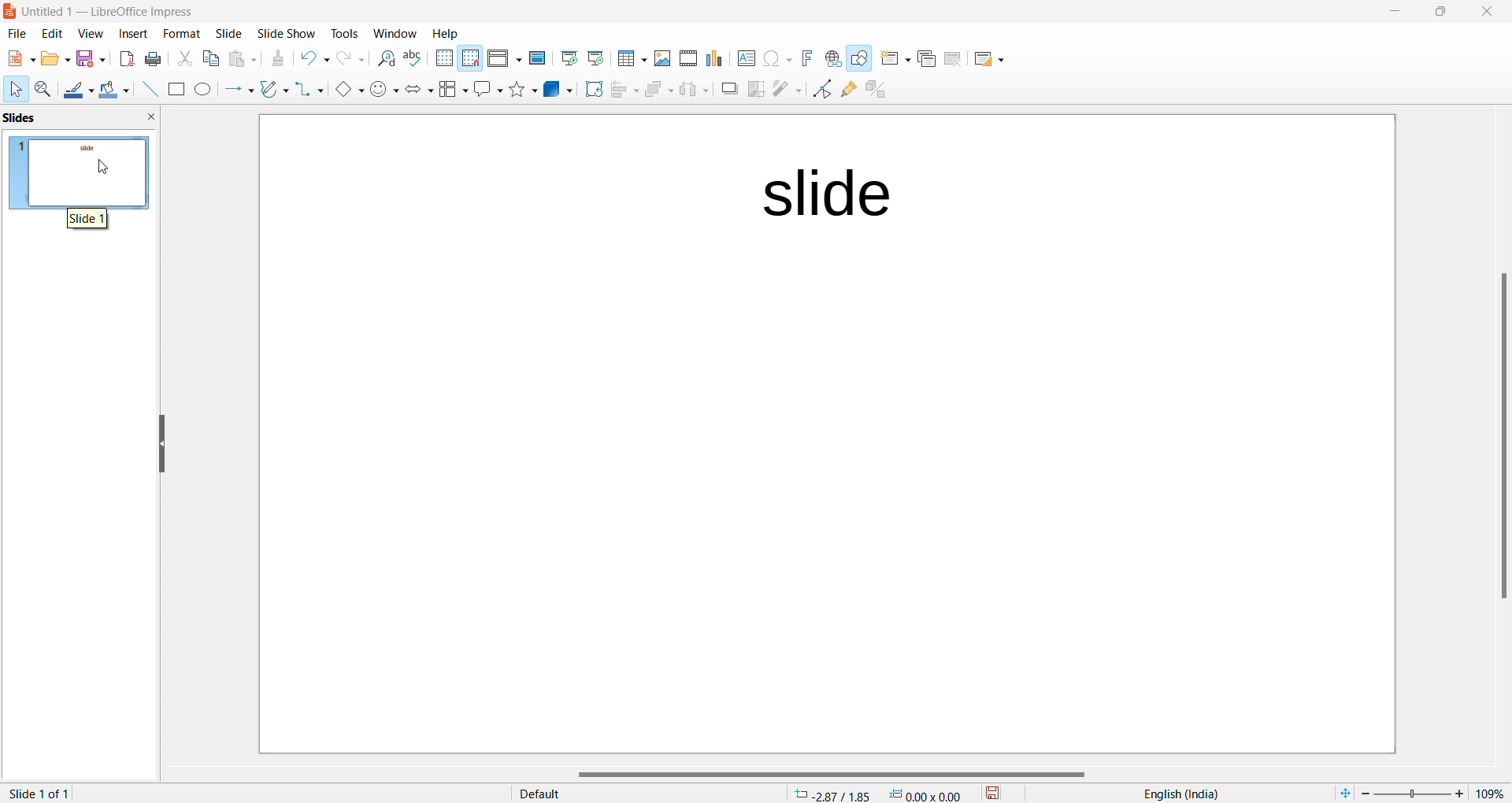 Image resolution: width=1512 pixels, height=803 pixels. Describe the element at coordinates (272, 90) in the screenshot. I see `curve and polygons` at that location.